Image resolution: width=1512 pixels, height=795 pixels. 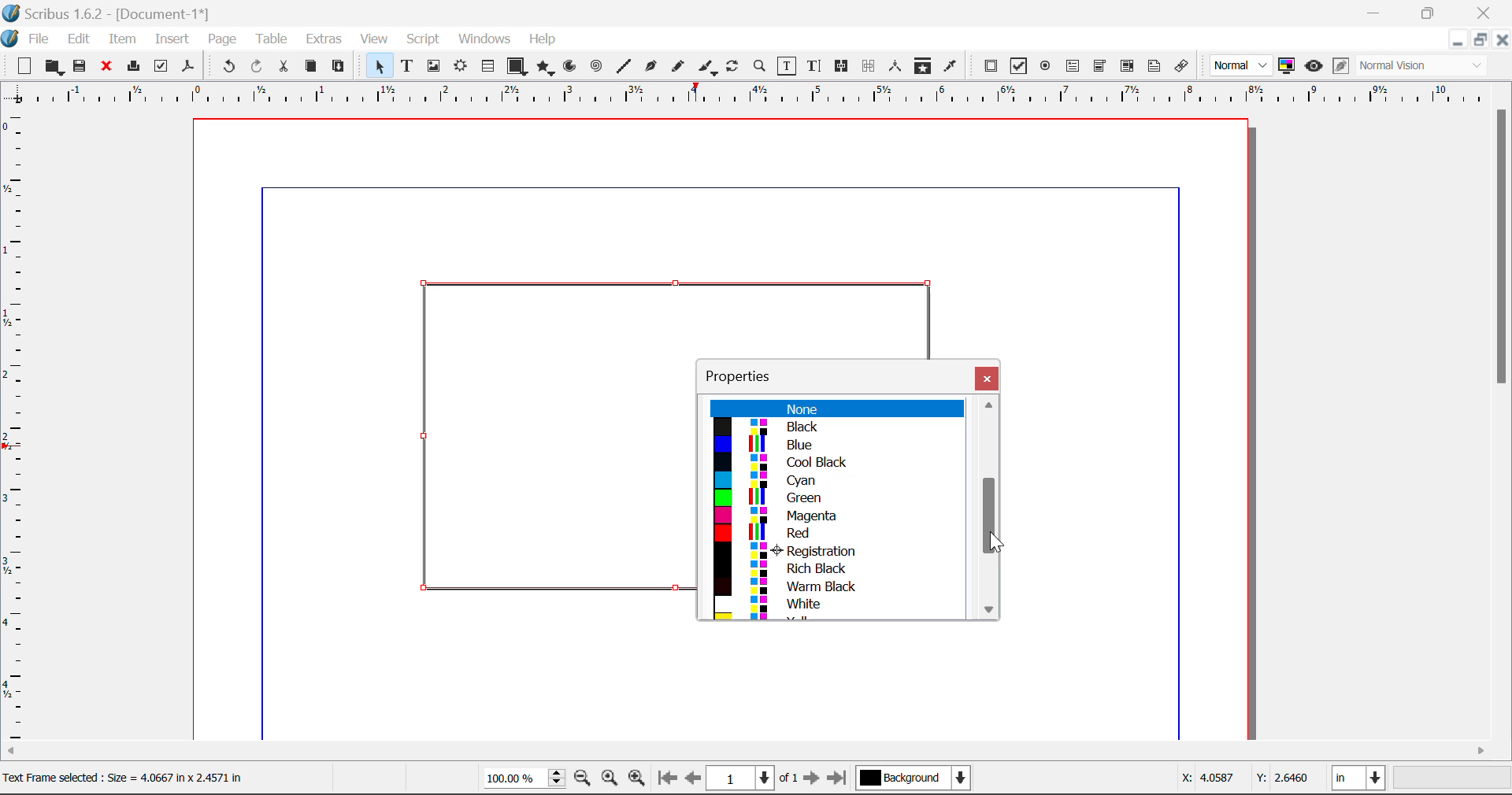 What do you see at coordinates (339, 67) in the screenshot?
I see `Paste` at bounding box center [339, 67].